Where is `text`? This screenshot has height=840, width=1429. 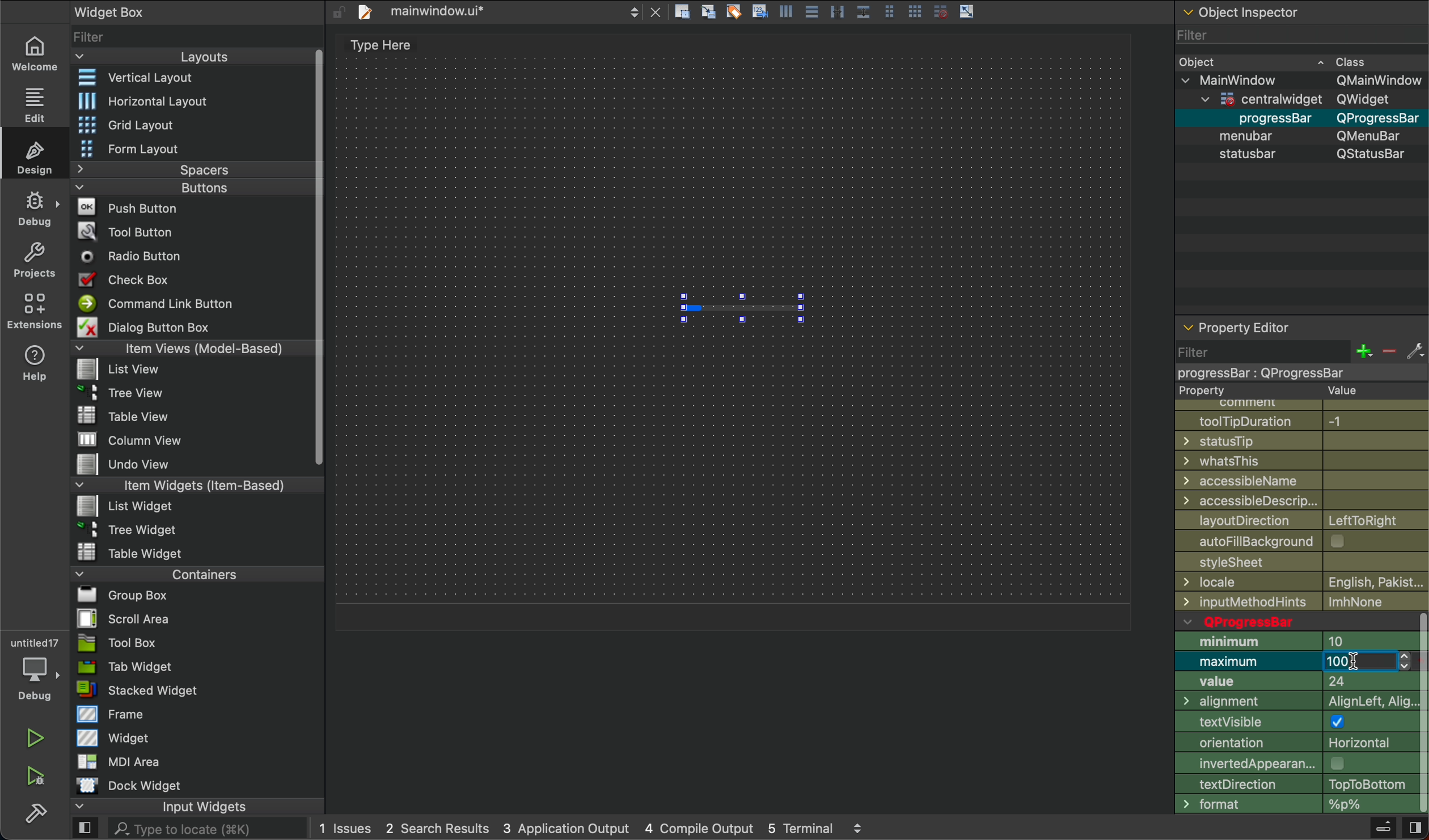 text is located at coordinates (375, 47).